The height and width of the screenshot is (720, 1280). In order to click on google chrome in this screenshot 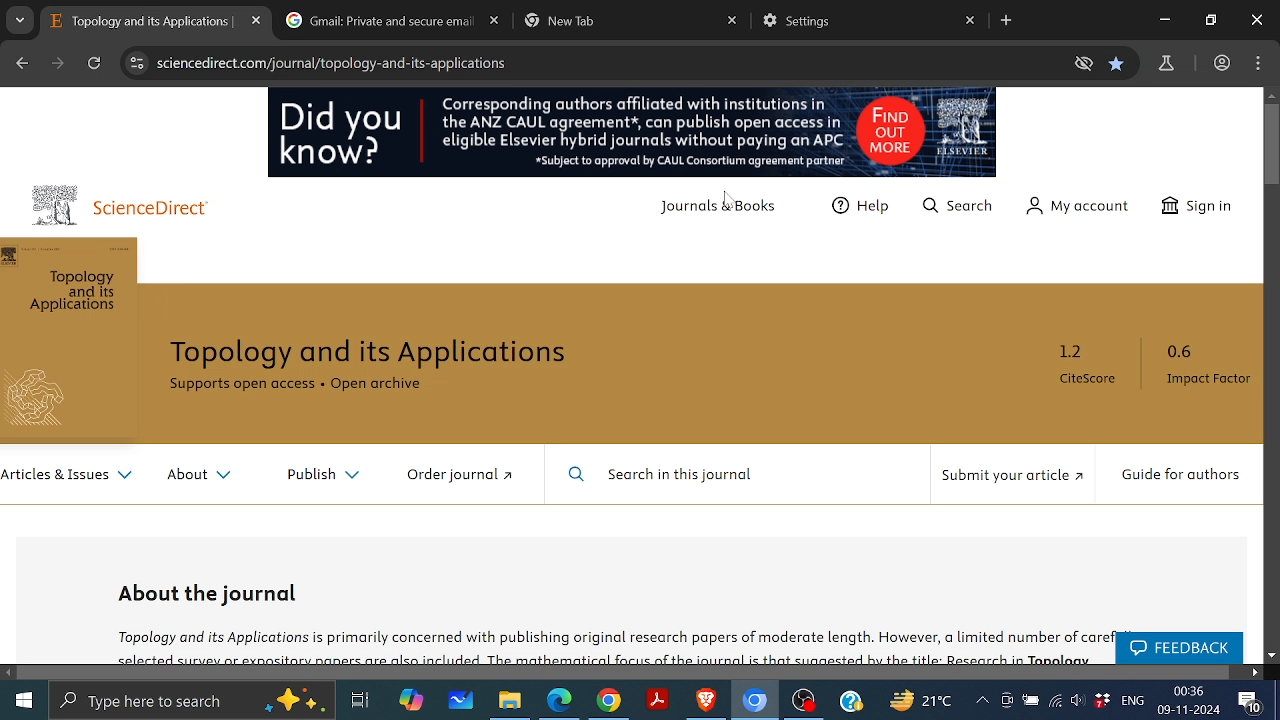, I will do `click(609, 702)`.